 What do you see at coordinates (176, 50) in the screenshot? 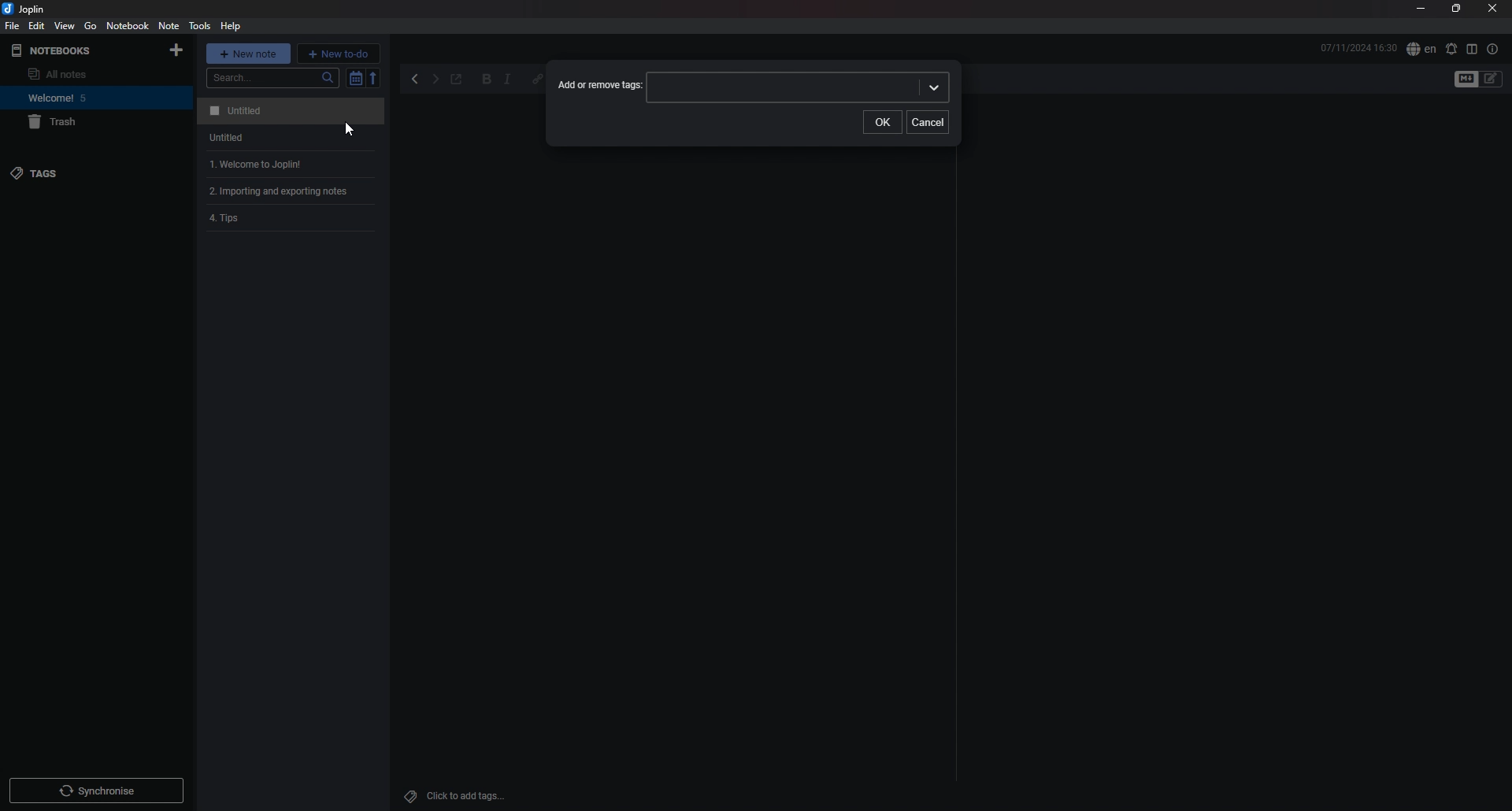
I see `add notebook` at bounding box center [176, 50].